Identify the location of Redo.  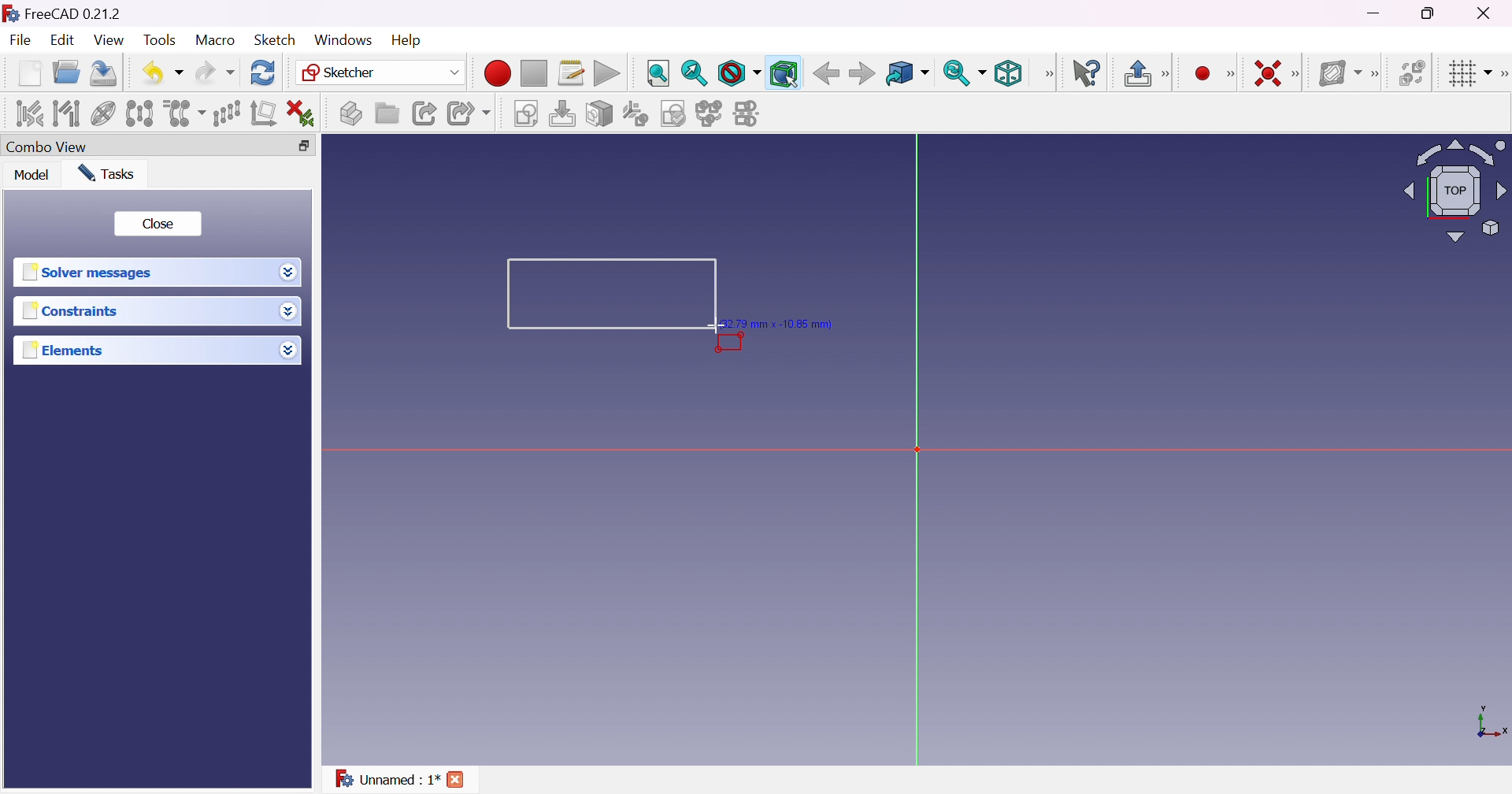
(216, 74).